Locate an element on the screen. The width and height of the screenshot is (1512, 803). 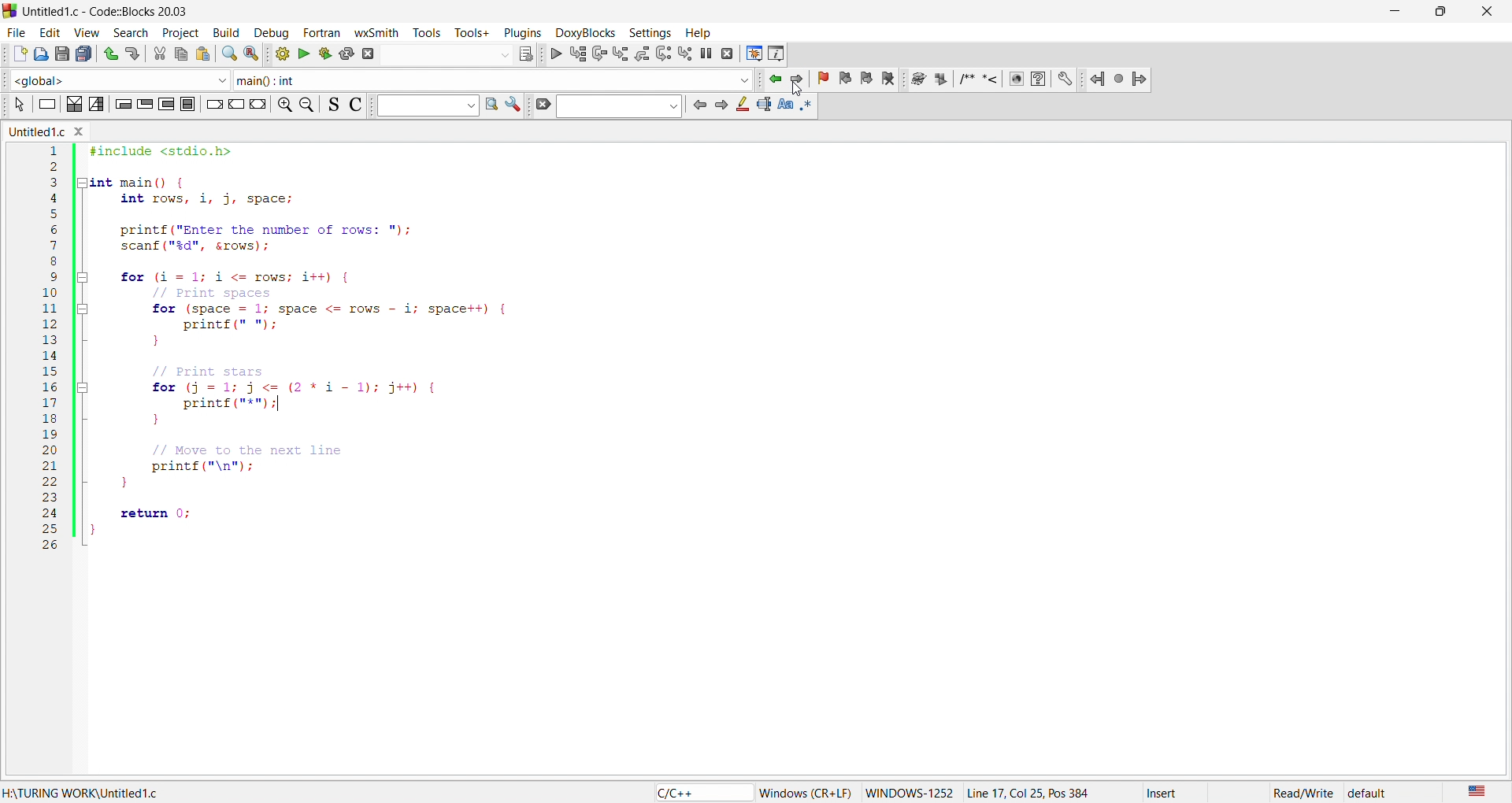
title bar - Untitled1.c-Code::Blocks 20.03 is located at coordinates (684, 9).